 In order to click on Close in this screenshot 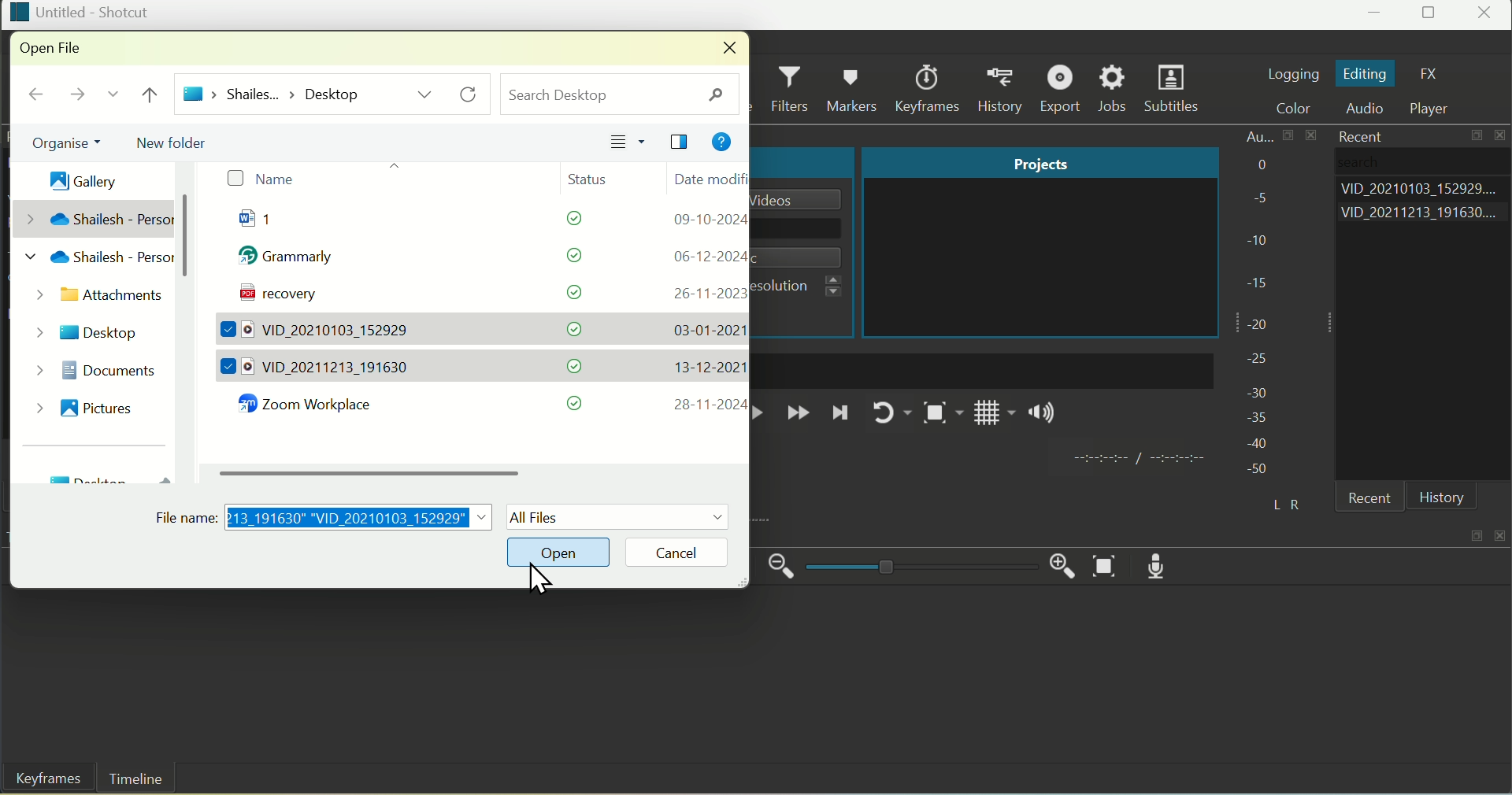, I will do `click(1487, 15)`.